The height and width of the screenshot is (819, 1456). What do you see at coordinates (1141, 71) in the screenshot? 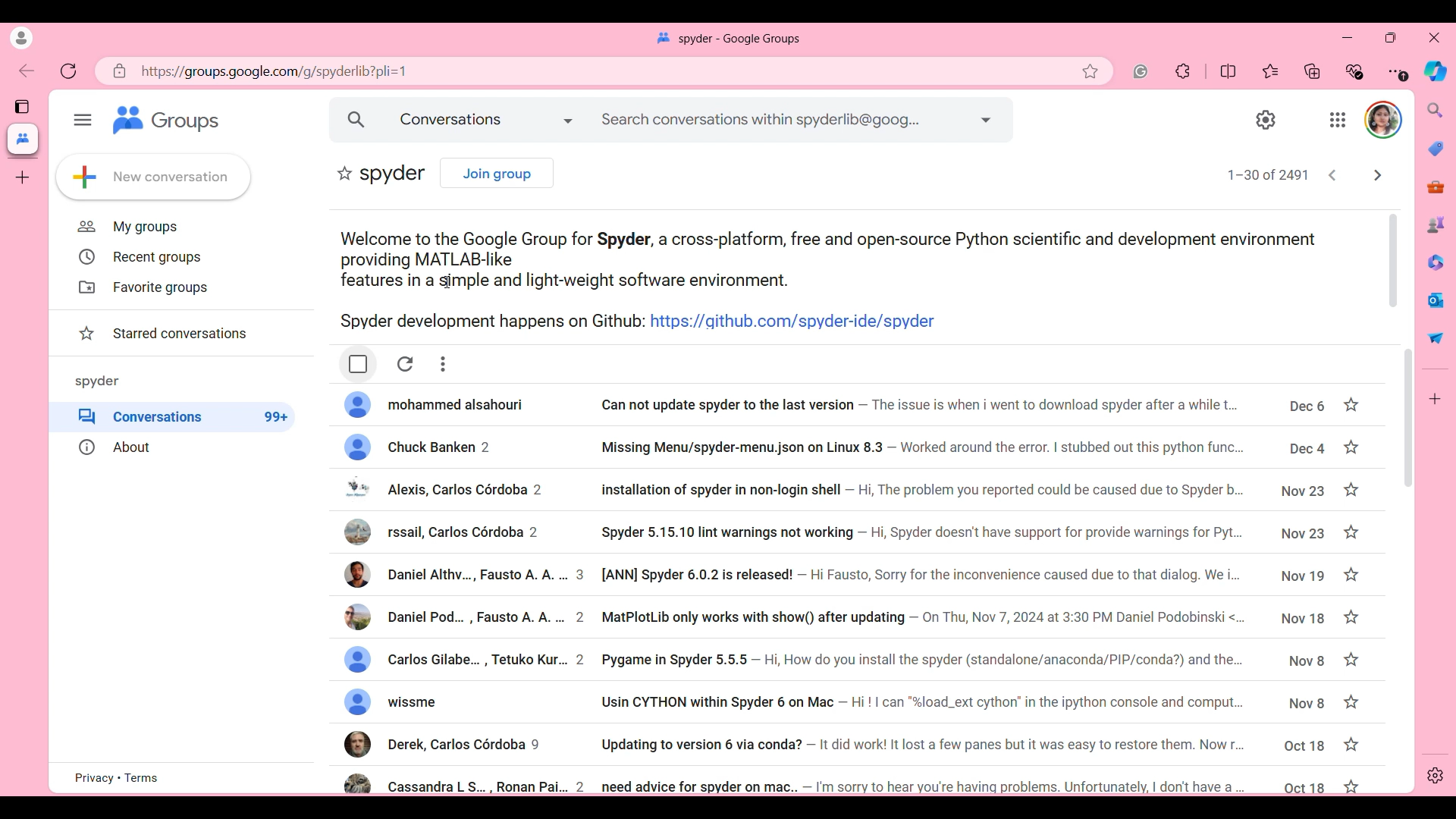
I see `Grammarly extension` at bounding box center [1141, 71].